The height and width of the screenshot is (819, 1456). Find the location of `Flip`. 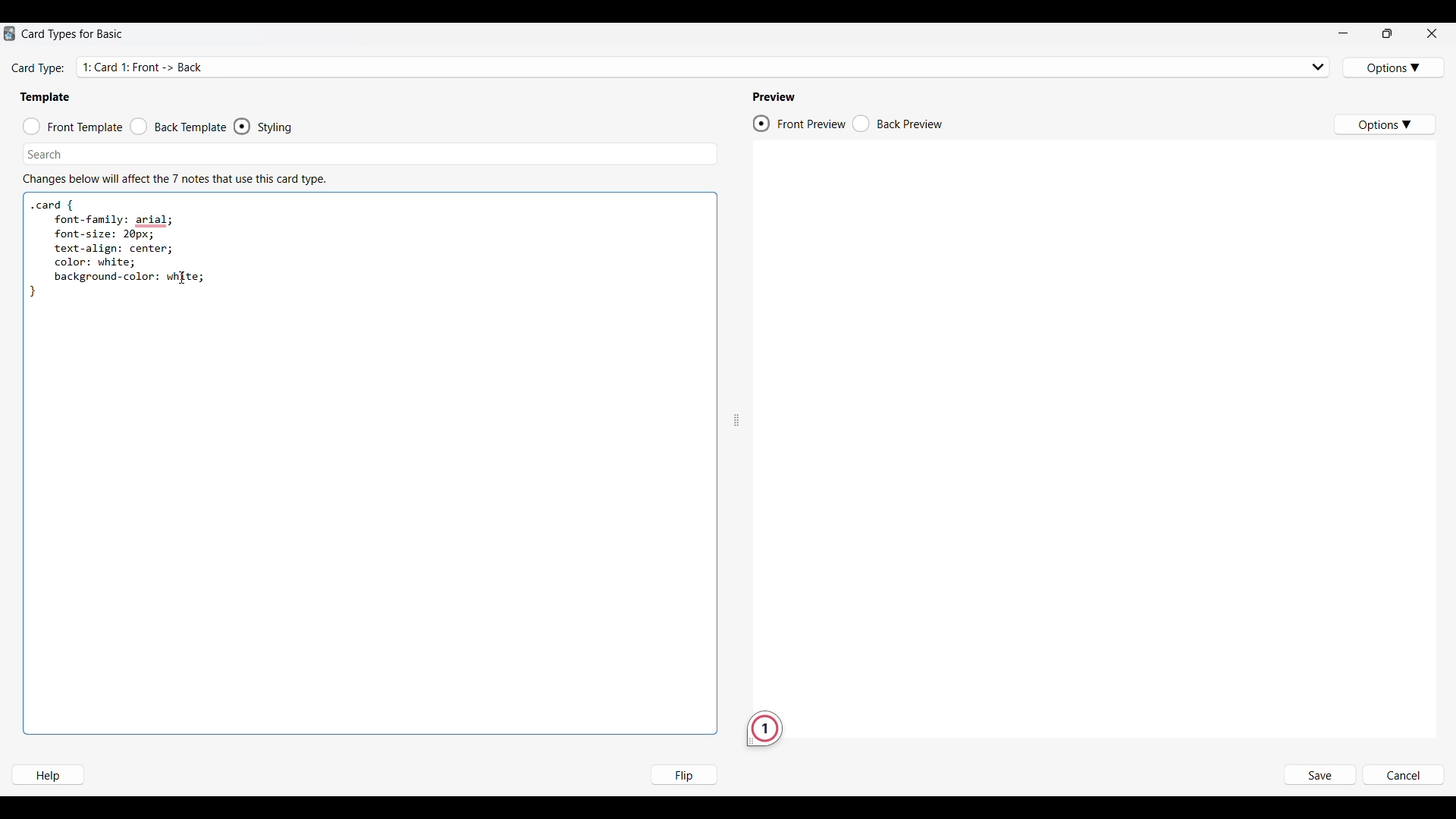

Flip is located at coordinates (683, 774).